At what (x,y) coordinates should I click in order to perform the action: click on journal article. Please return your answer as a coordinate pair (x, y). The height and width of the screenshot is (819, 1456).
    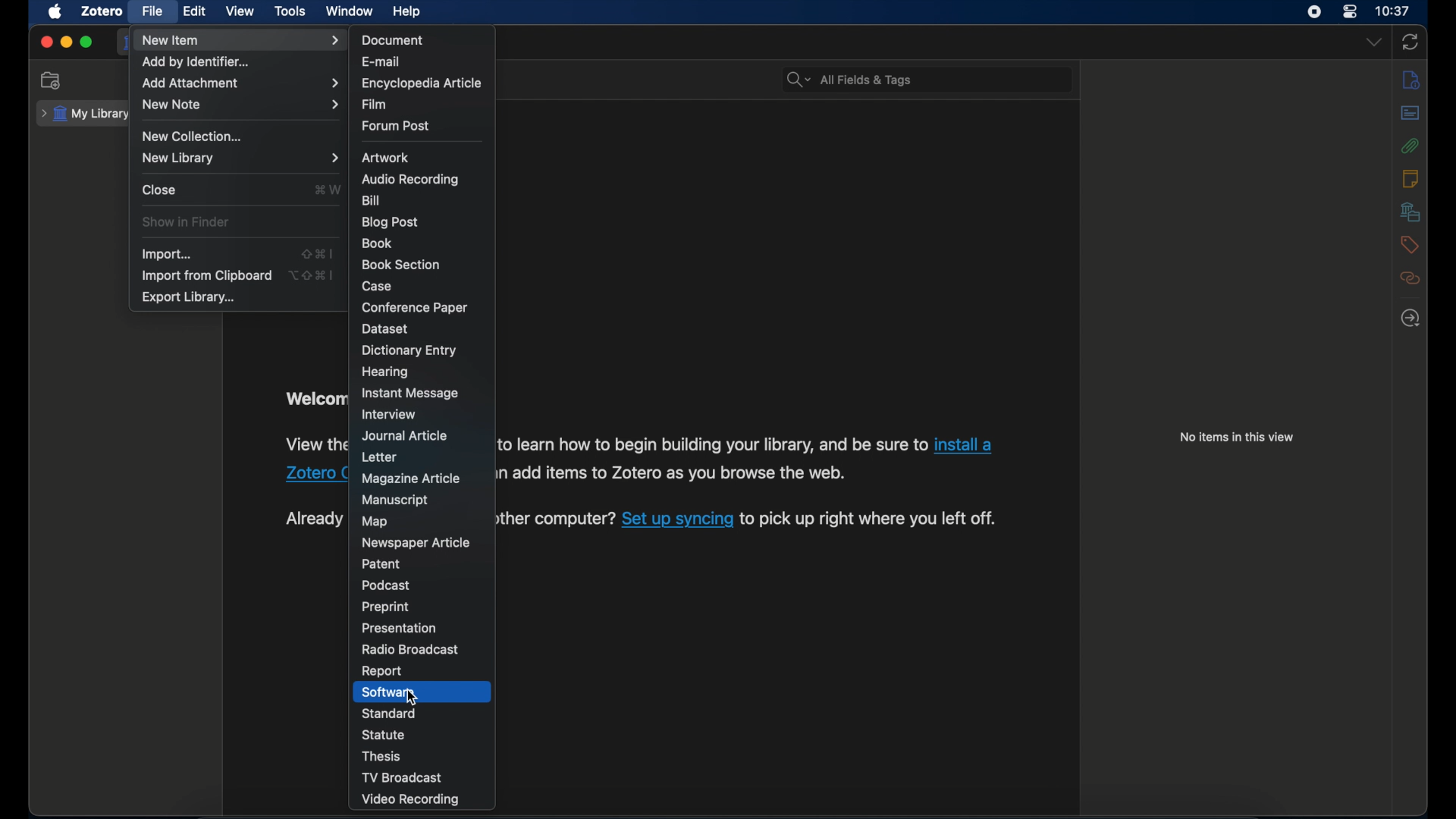
    Looking at the image, I should click on (404, 435).